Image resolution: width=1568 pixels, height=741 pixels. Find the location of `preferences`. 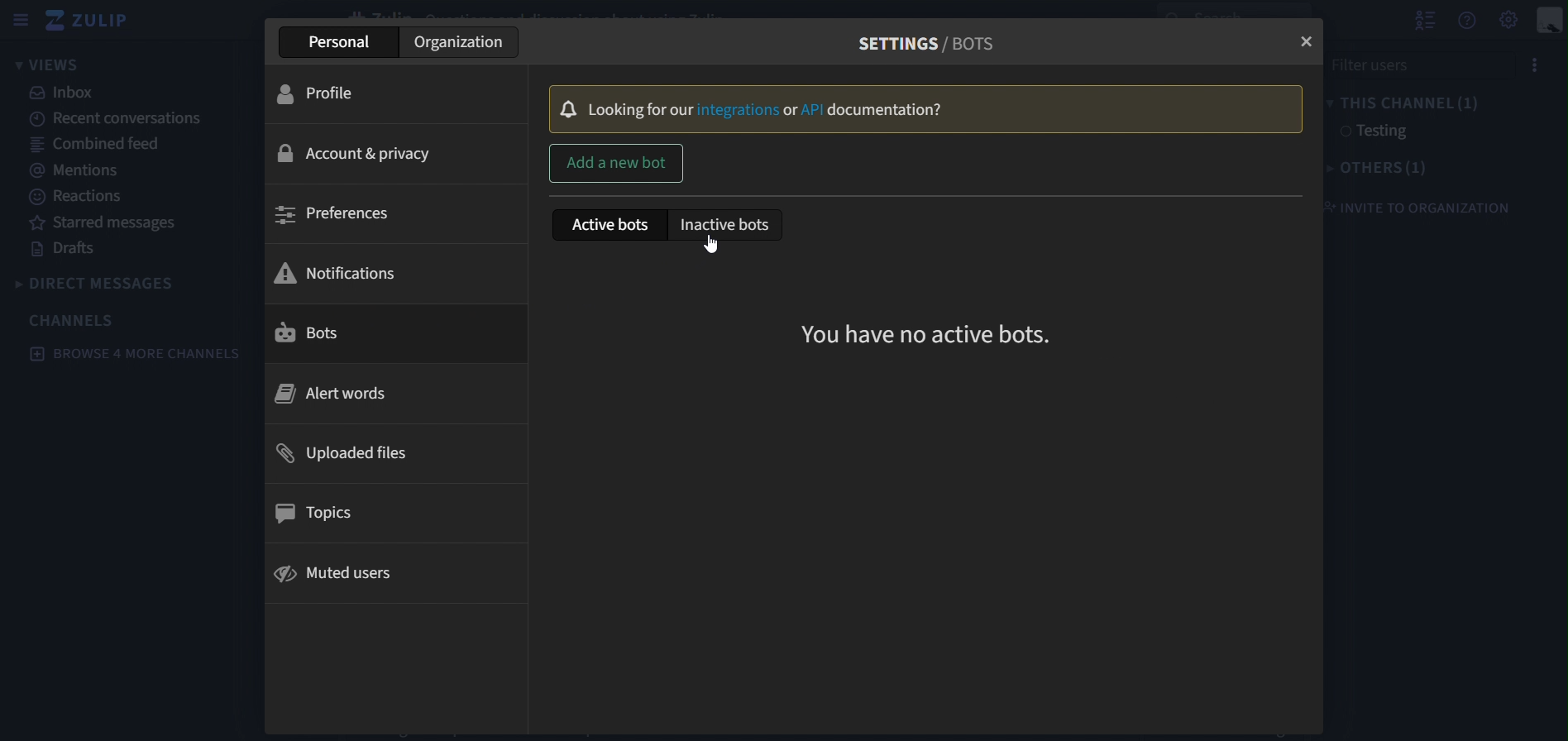

preferences is located at coordinates (337, 215).